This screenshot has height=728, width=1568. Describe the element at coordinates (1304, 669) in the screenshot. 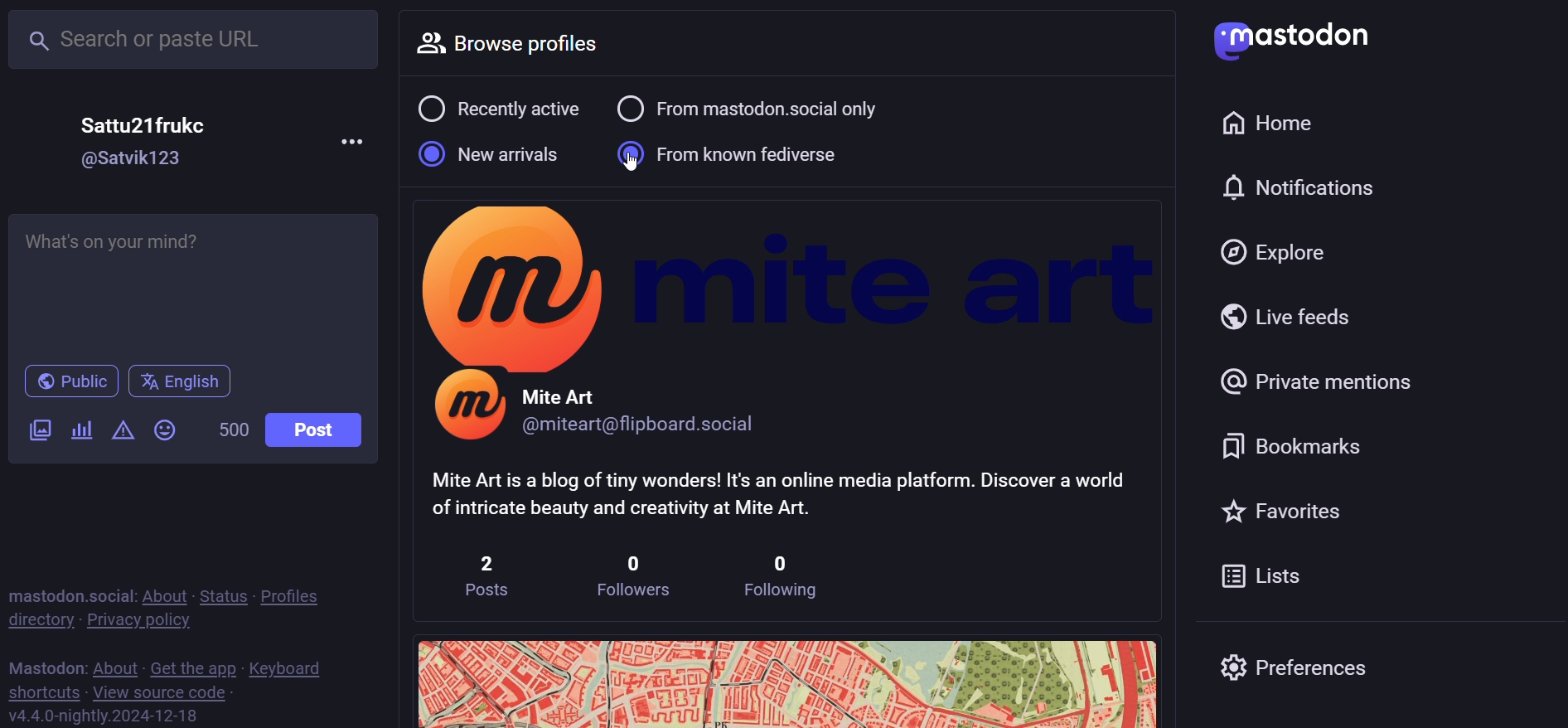

I see `preferences` at that location.